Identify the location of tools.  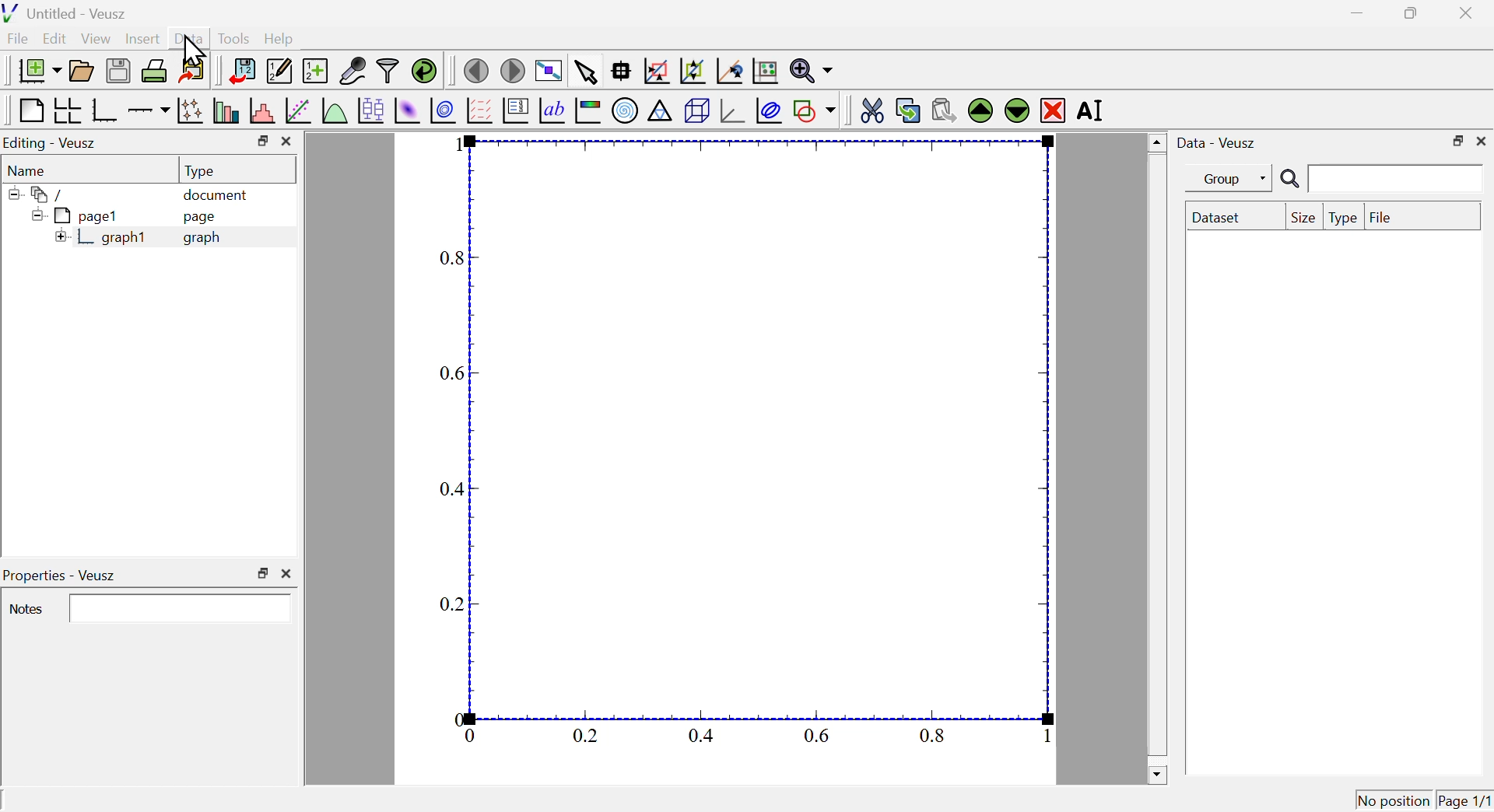
(235, 37).